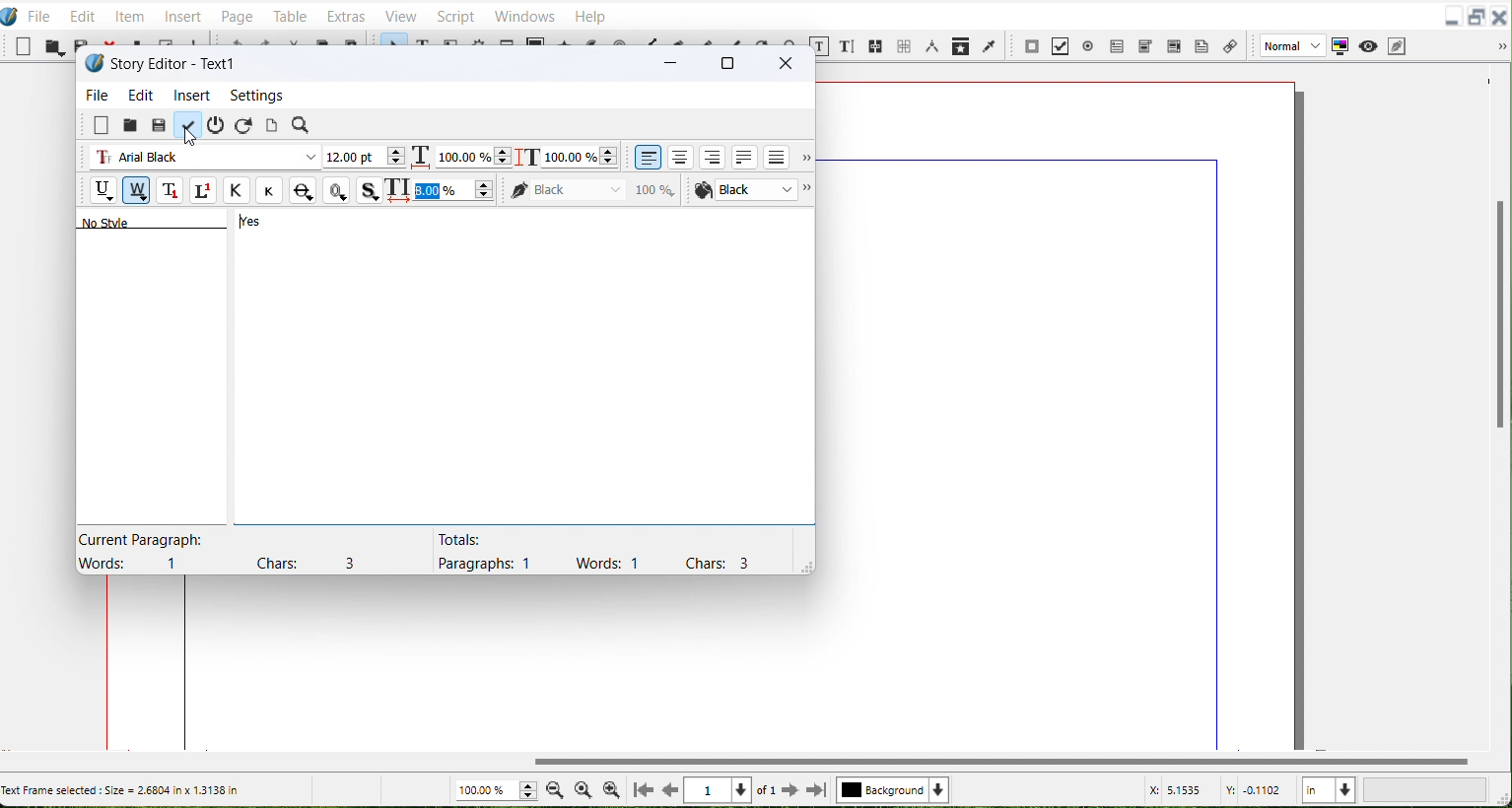 This screenshot has width=1512, height=808. I want to click on Text Annotation, so click(1203, 45).